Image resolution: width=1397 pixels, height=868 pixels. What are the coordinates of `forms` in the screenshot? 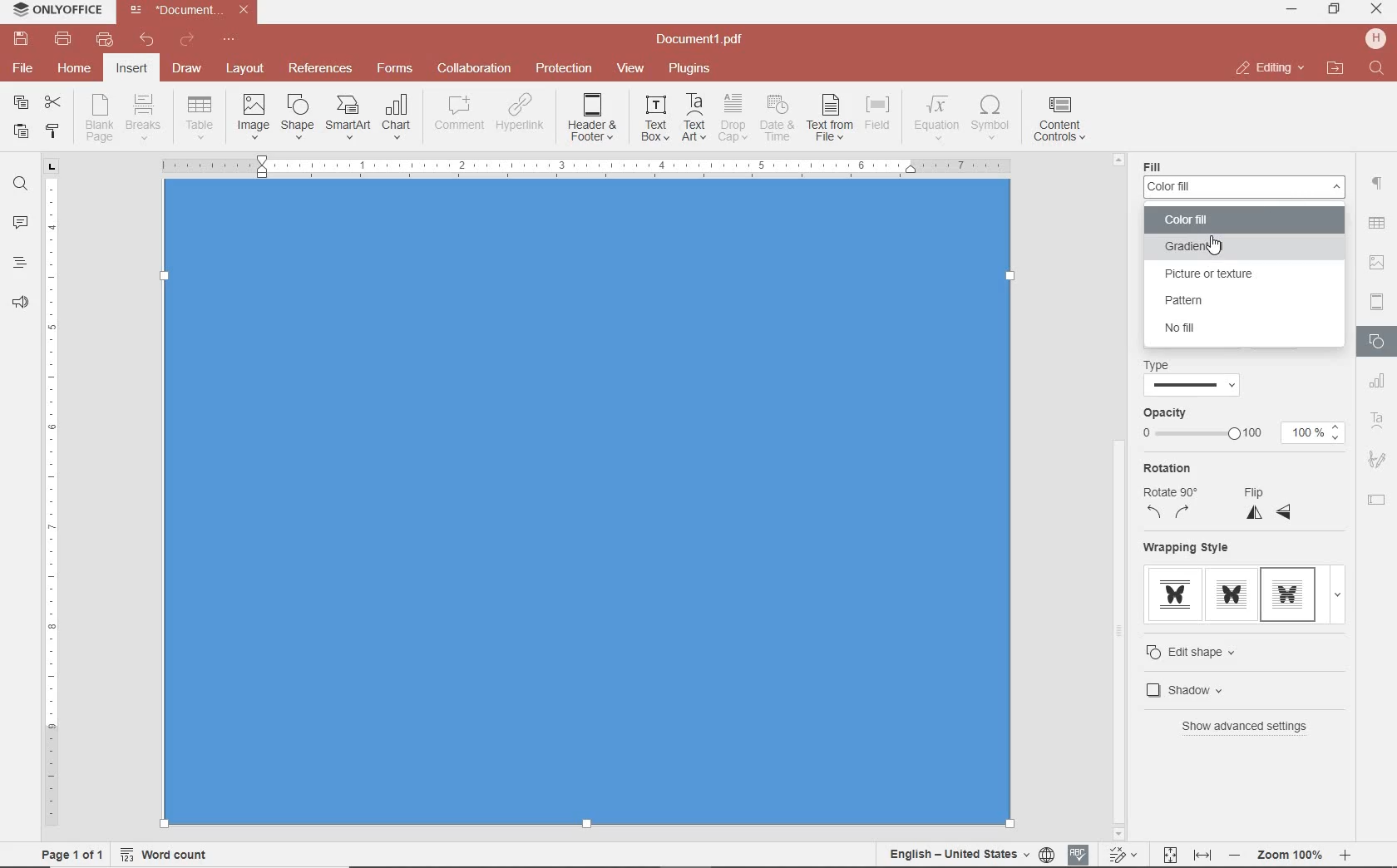 It's located at (395, 68).